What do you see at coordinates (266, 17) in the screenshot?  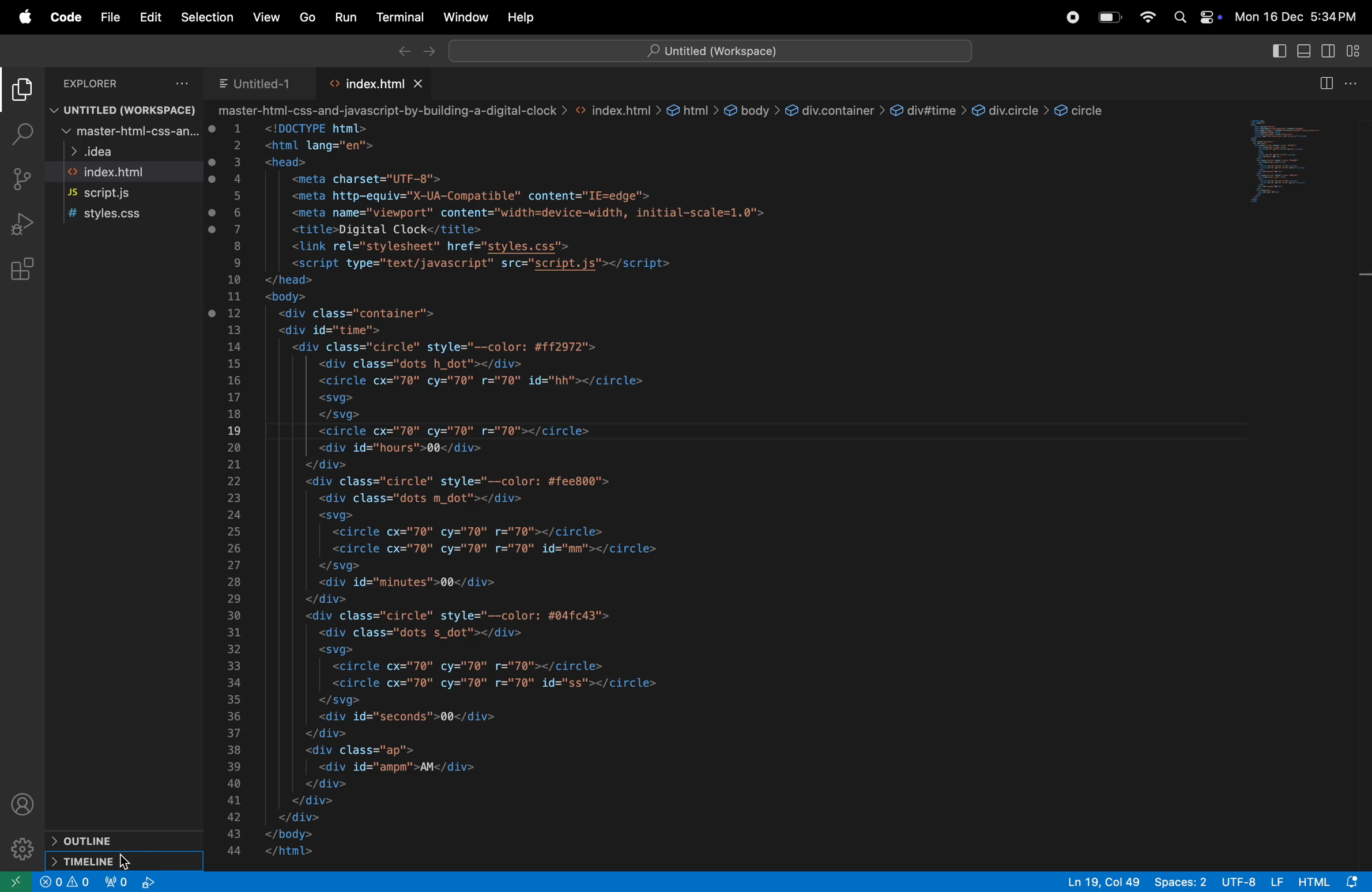 I see `view` at bounding box center [266, 17].